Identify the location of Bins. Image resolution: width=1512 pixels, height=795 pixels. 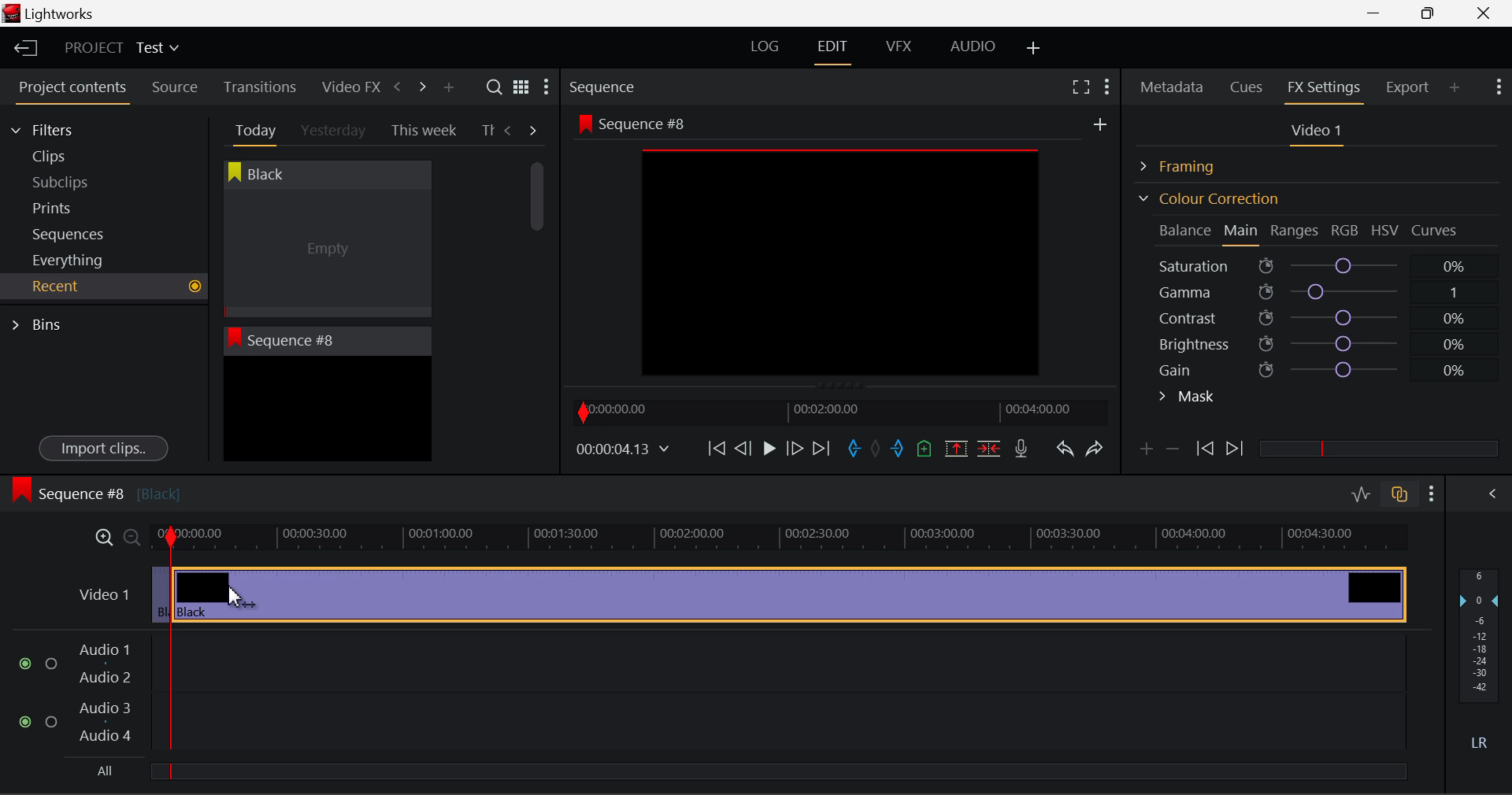
(42, 323).